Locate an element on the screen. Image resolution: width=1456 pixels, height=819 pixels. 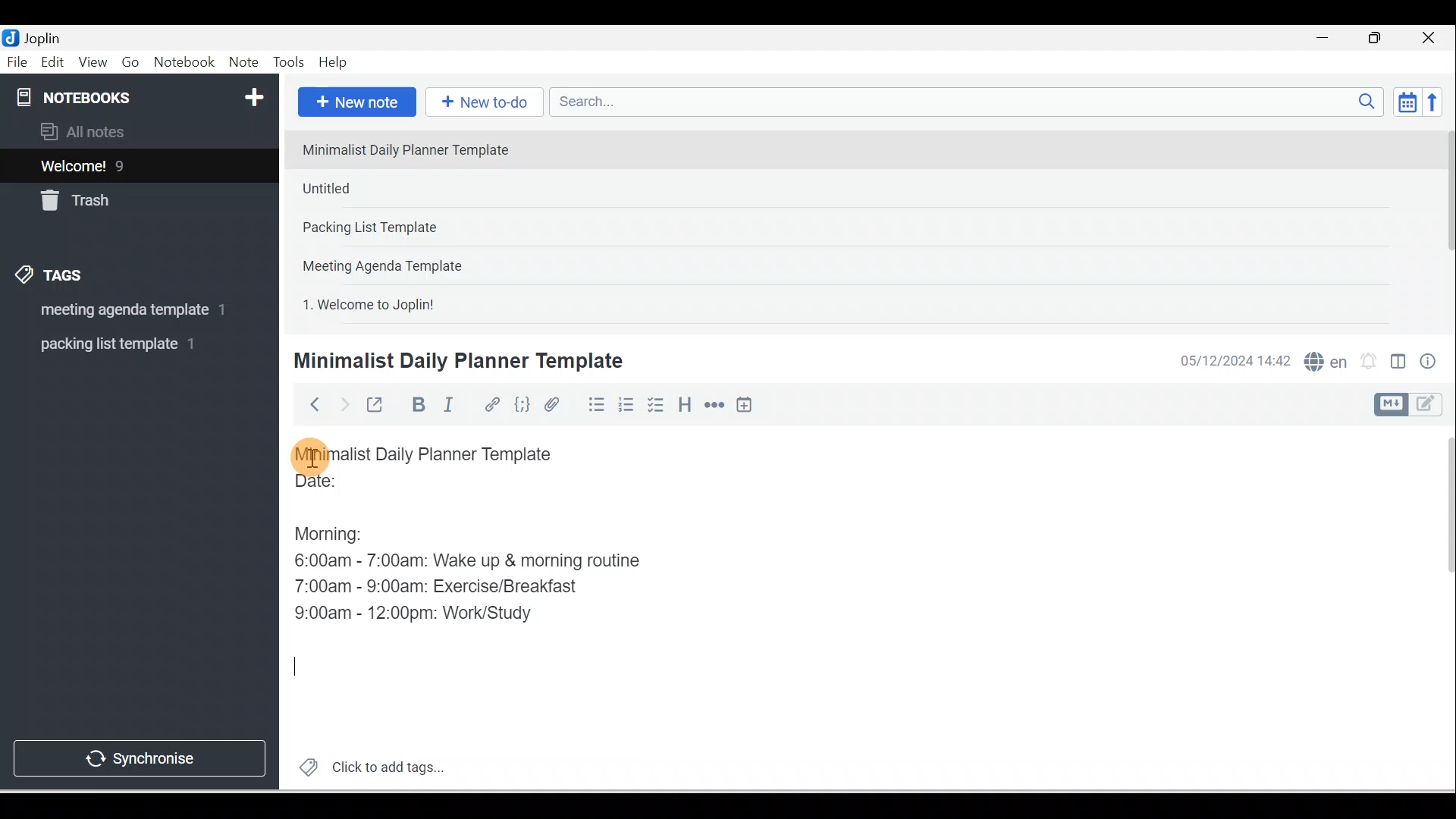
Tag 1 is located at coordinates (119, 311).